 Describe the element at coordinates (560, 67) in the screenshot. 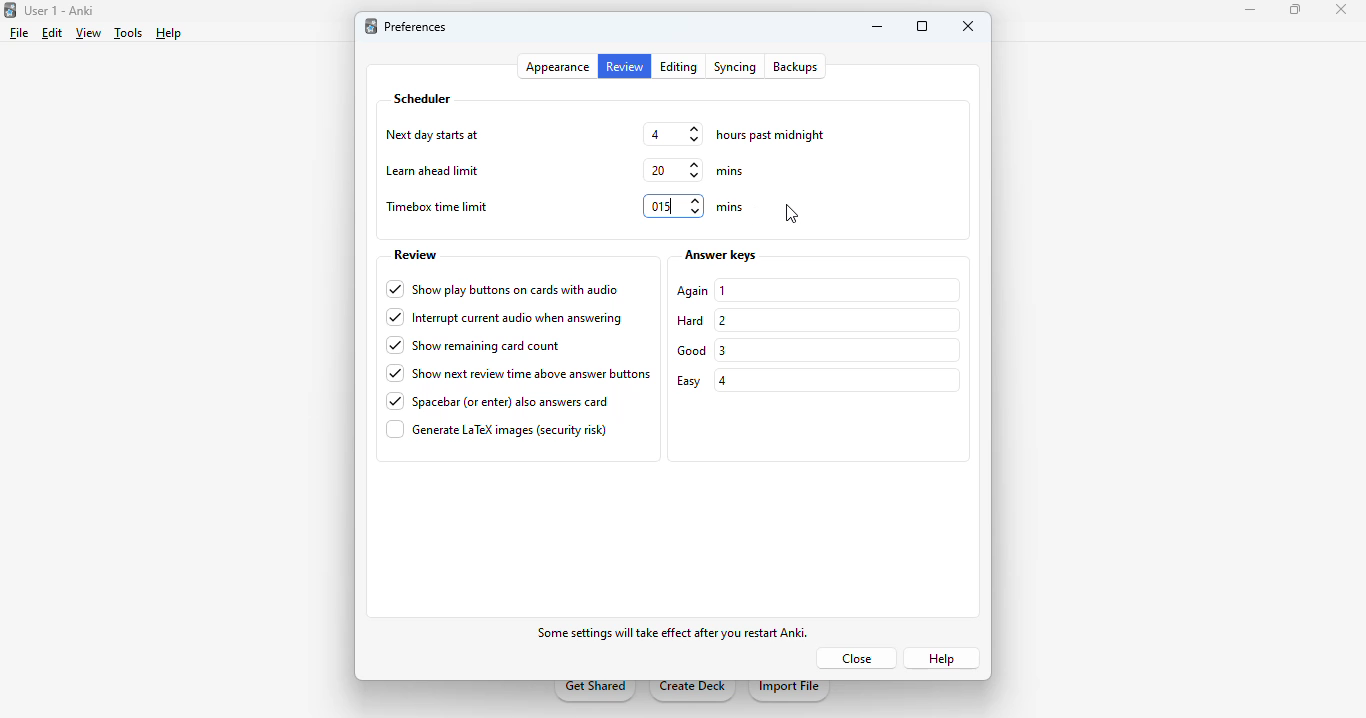

I see `appearance` at that location.